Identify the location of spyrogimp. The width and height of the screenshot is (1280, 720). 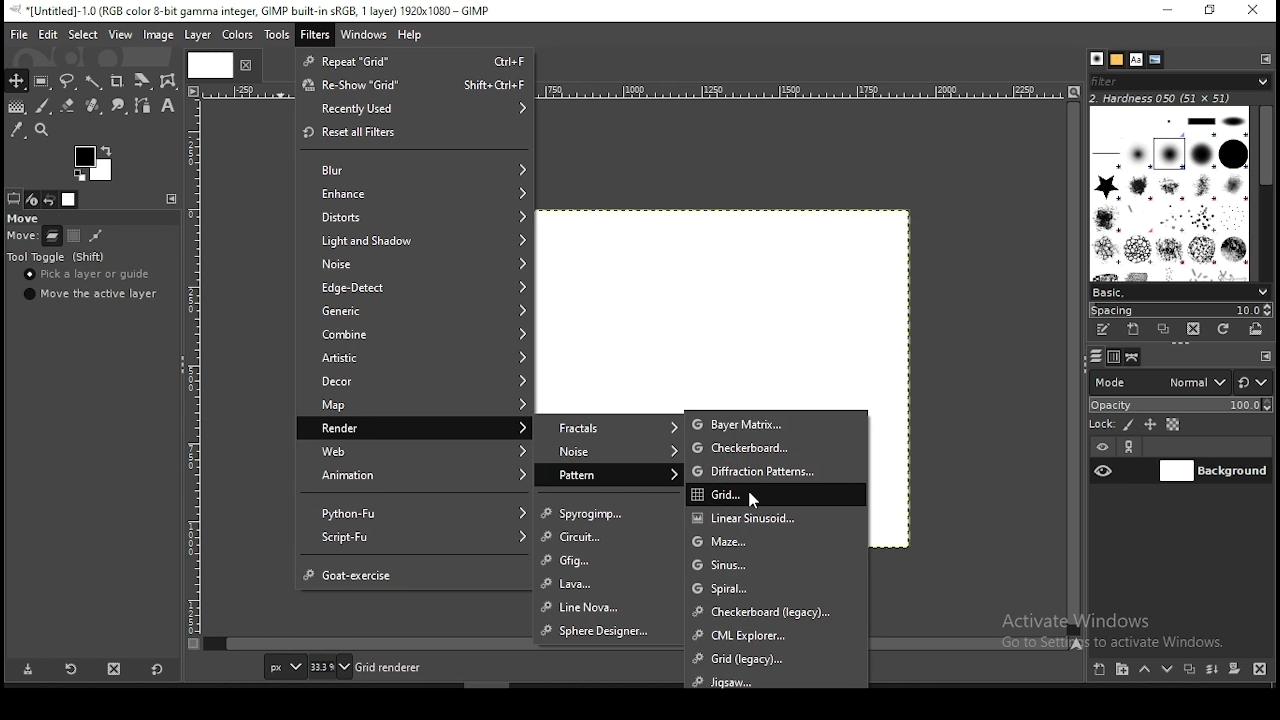
(611, 514).